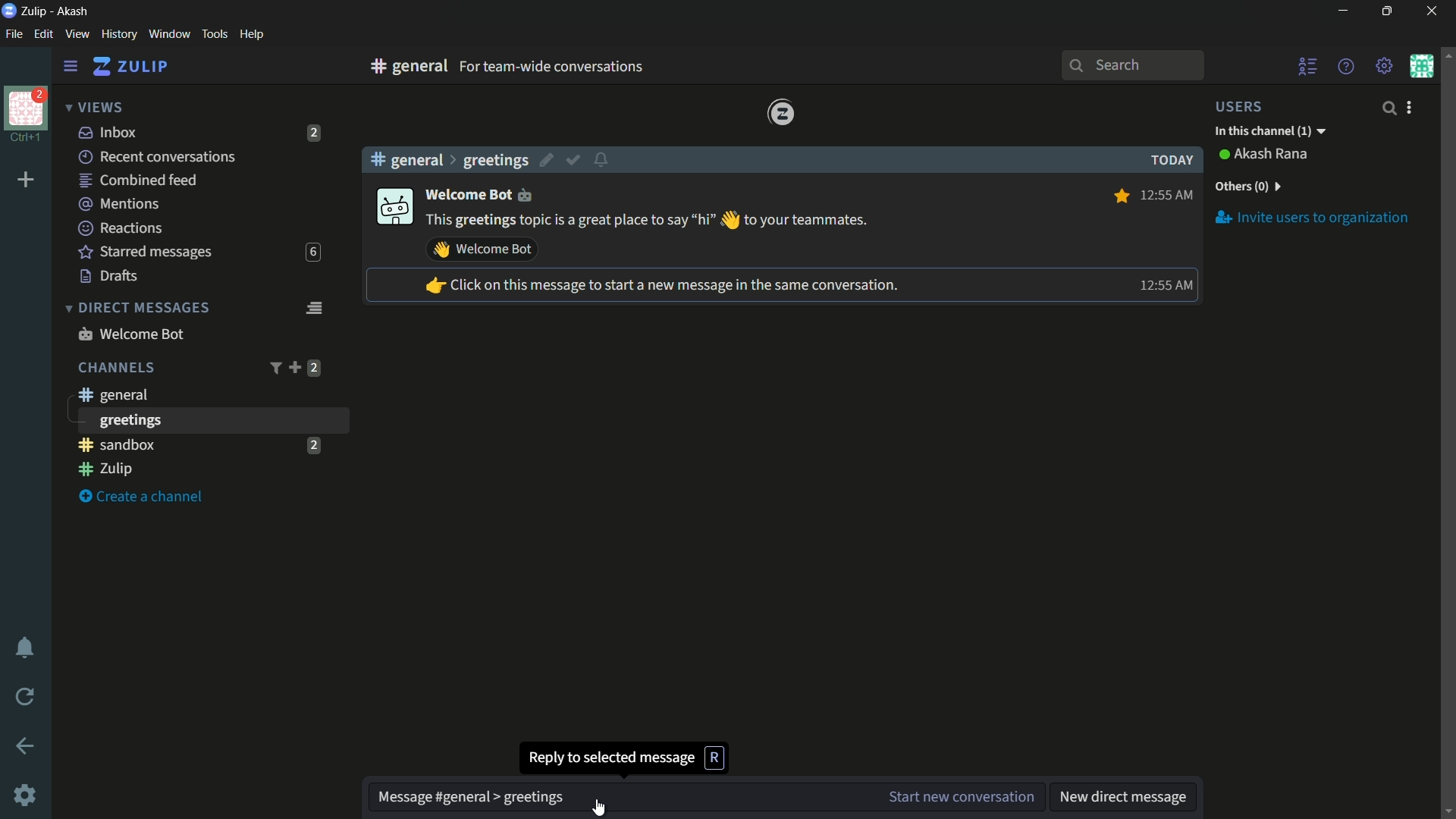 The width and height of the screenshot is (1456, 819). I want to click on 2 unread messages, so click(313, 444).